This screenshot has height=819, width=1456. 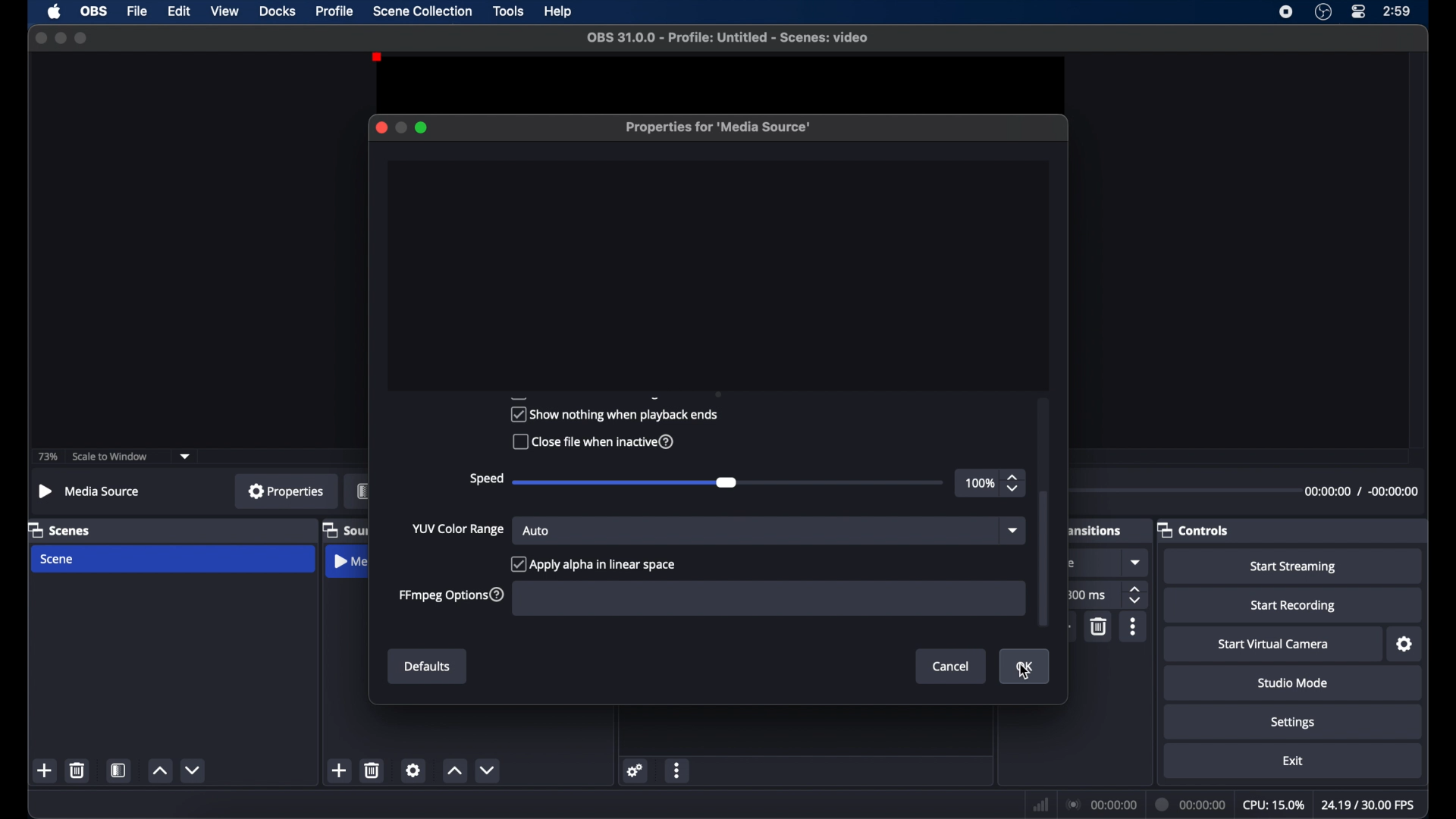 I want to click on increment, so click(x=454, y=771).